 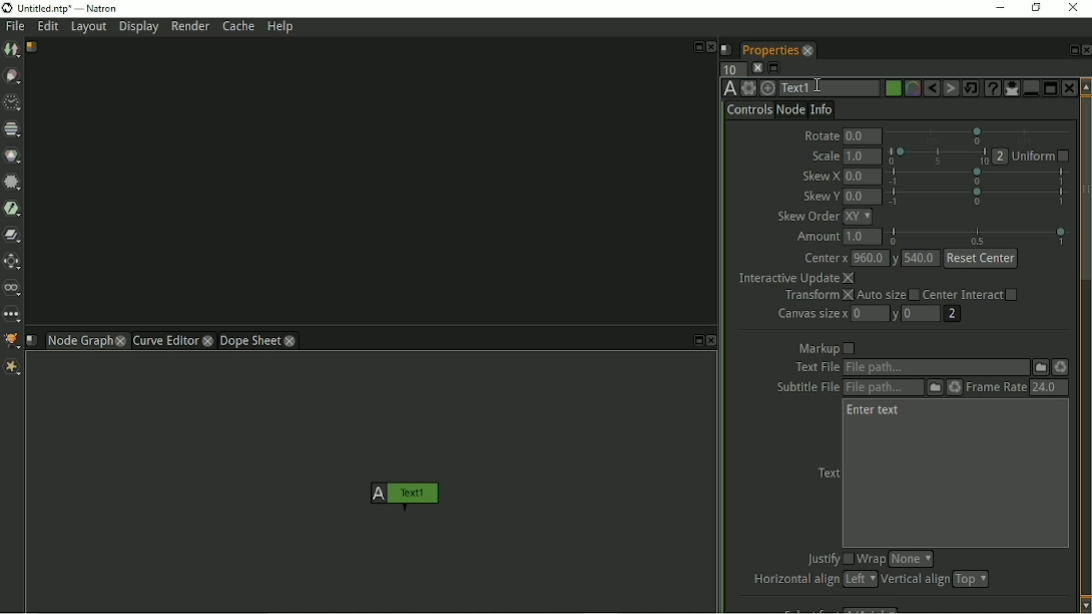 What do you see at coordinates (827, 473) in the screenshot?
I see `Text` at bounding box center [827, 473].